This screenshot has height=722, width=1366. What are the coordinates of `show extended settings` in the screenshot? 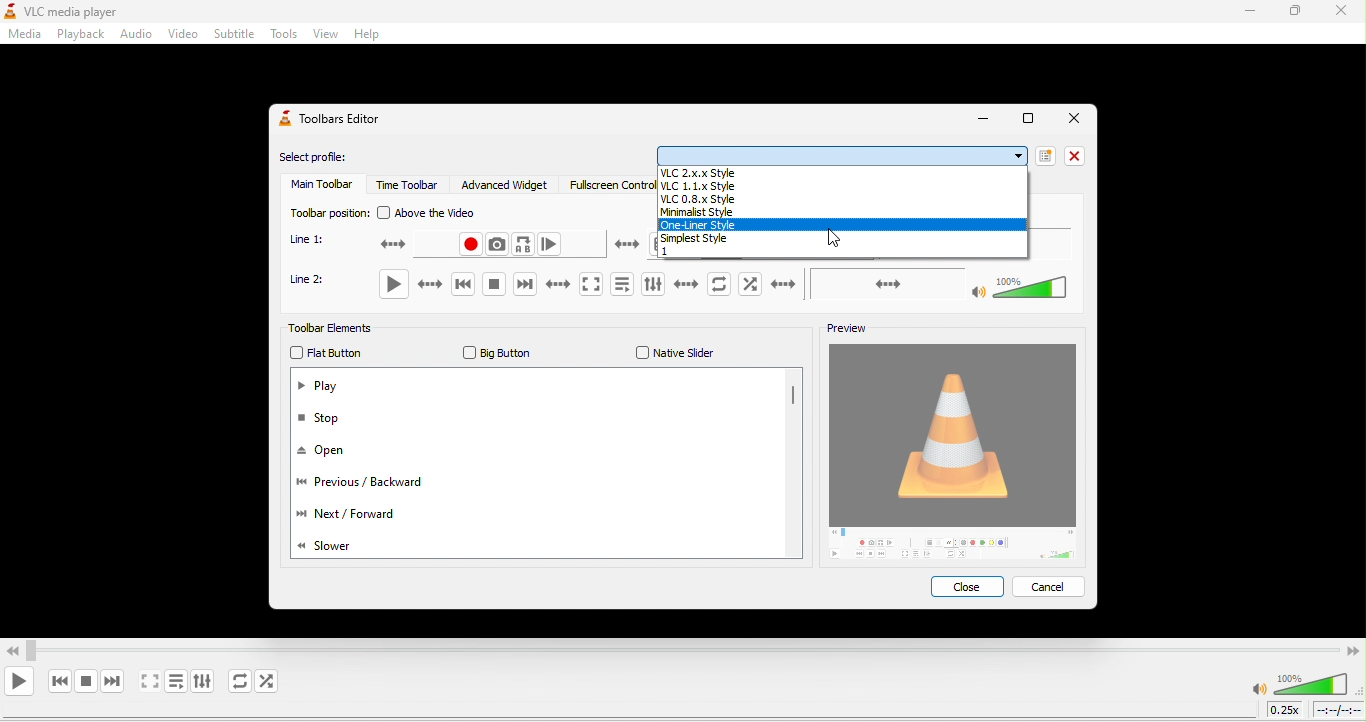 It's located at (669, 282).